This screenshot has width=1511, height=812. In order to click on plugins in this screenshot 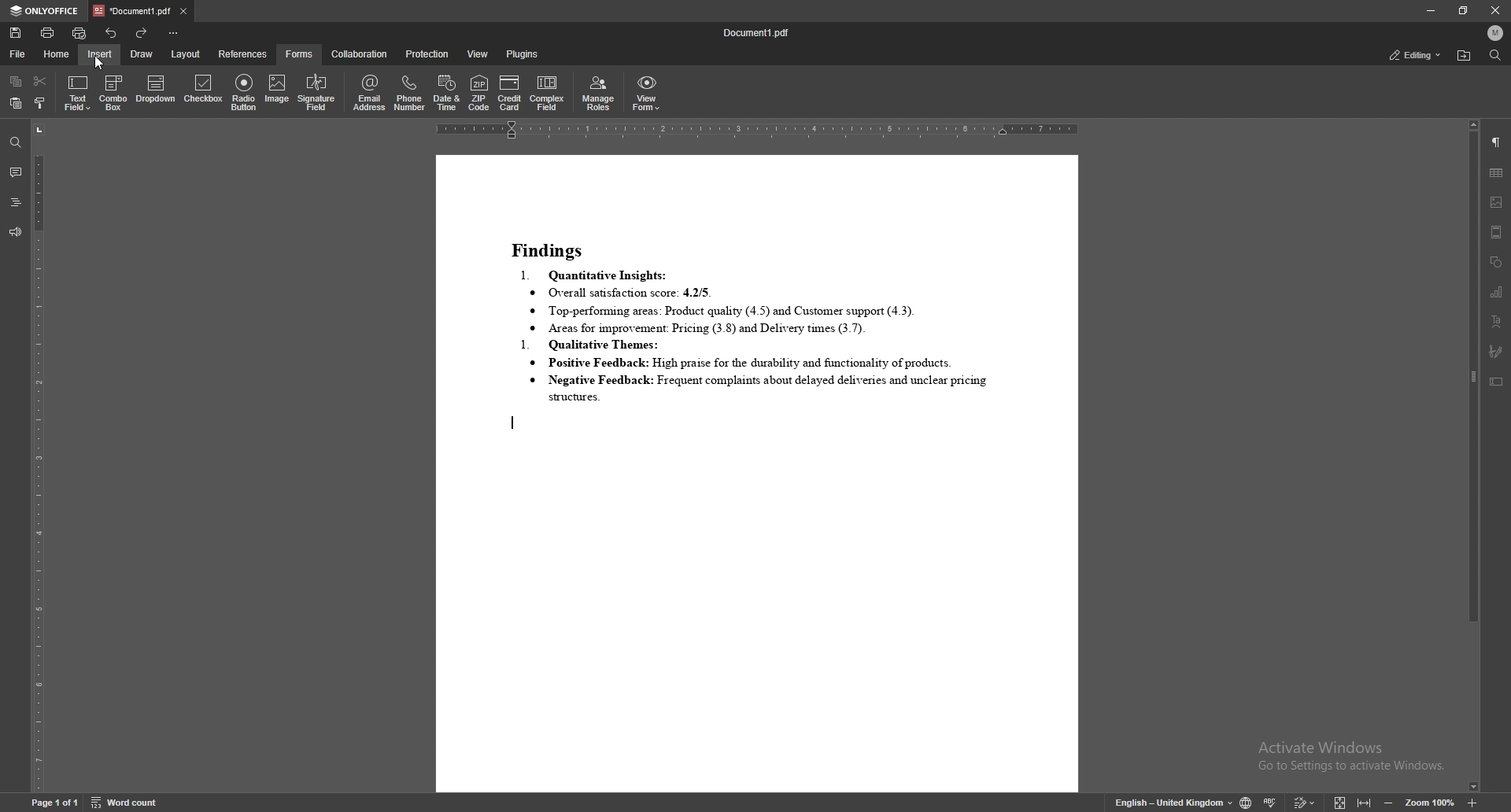, I will do `click(524, 54)`.